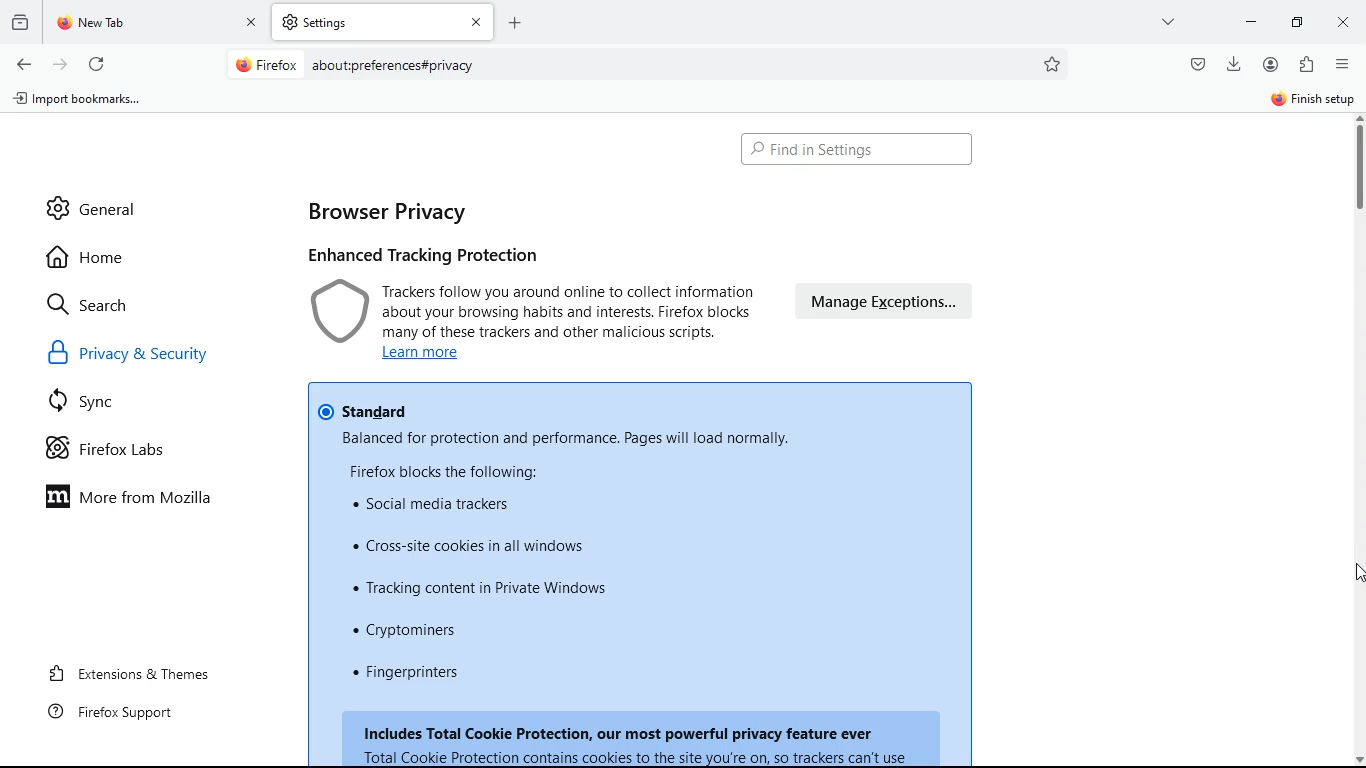  Describe the element at coordinates (363, 411) in the screenshot. I see `standard` at that location.